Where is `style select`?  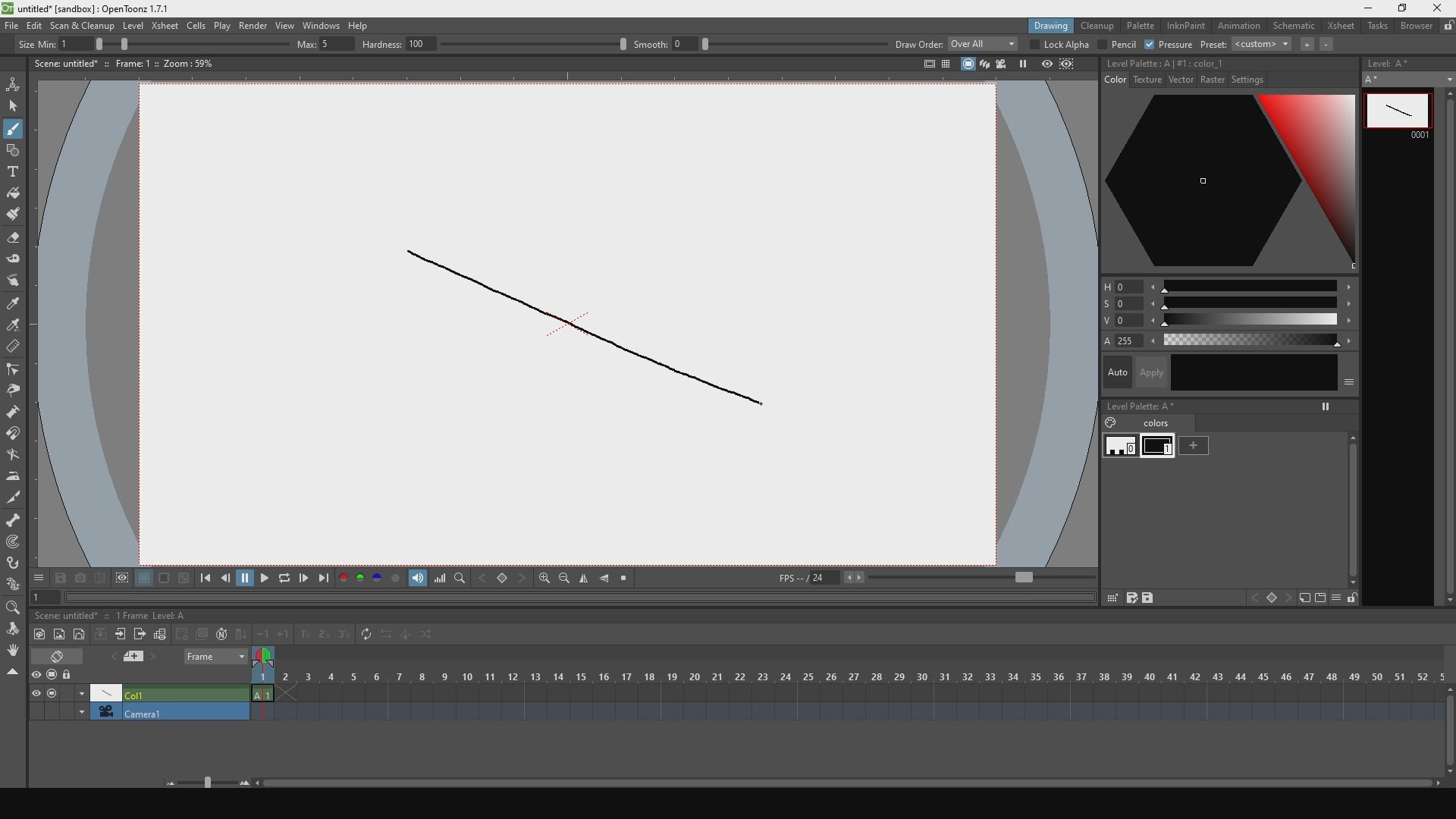
style select is located at coordinates (14, 306).